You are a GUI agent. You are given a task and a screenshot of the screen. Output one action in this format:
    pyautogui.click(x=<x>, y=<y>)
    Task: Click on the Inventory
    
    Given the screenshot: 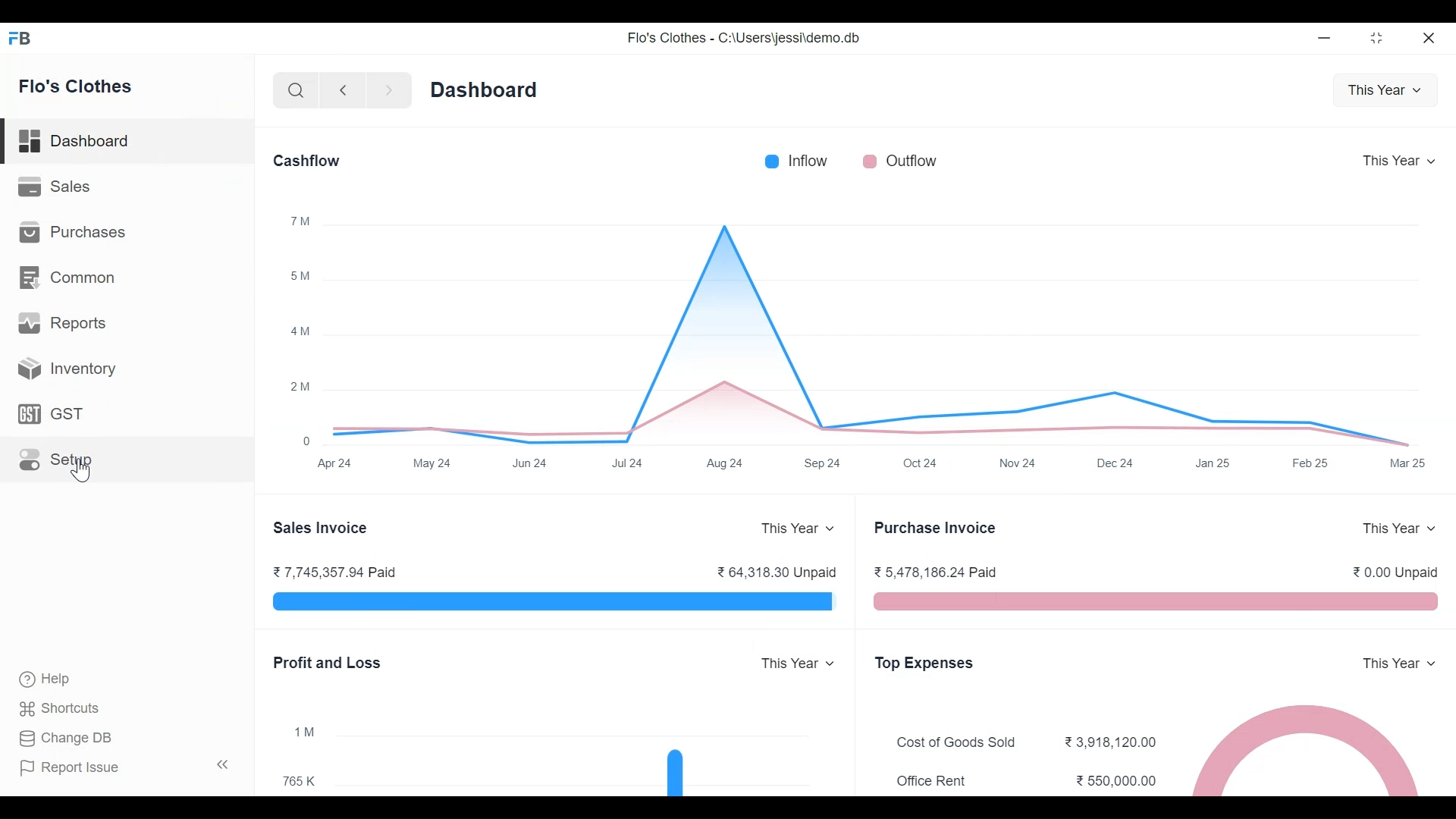 What is the action you would take?
    pyautogui.click(x=62, y=368)
    